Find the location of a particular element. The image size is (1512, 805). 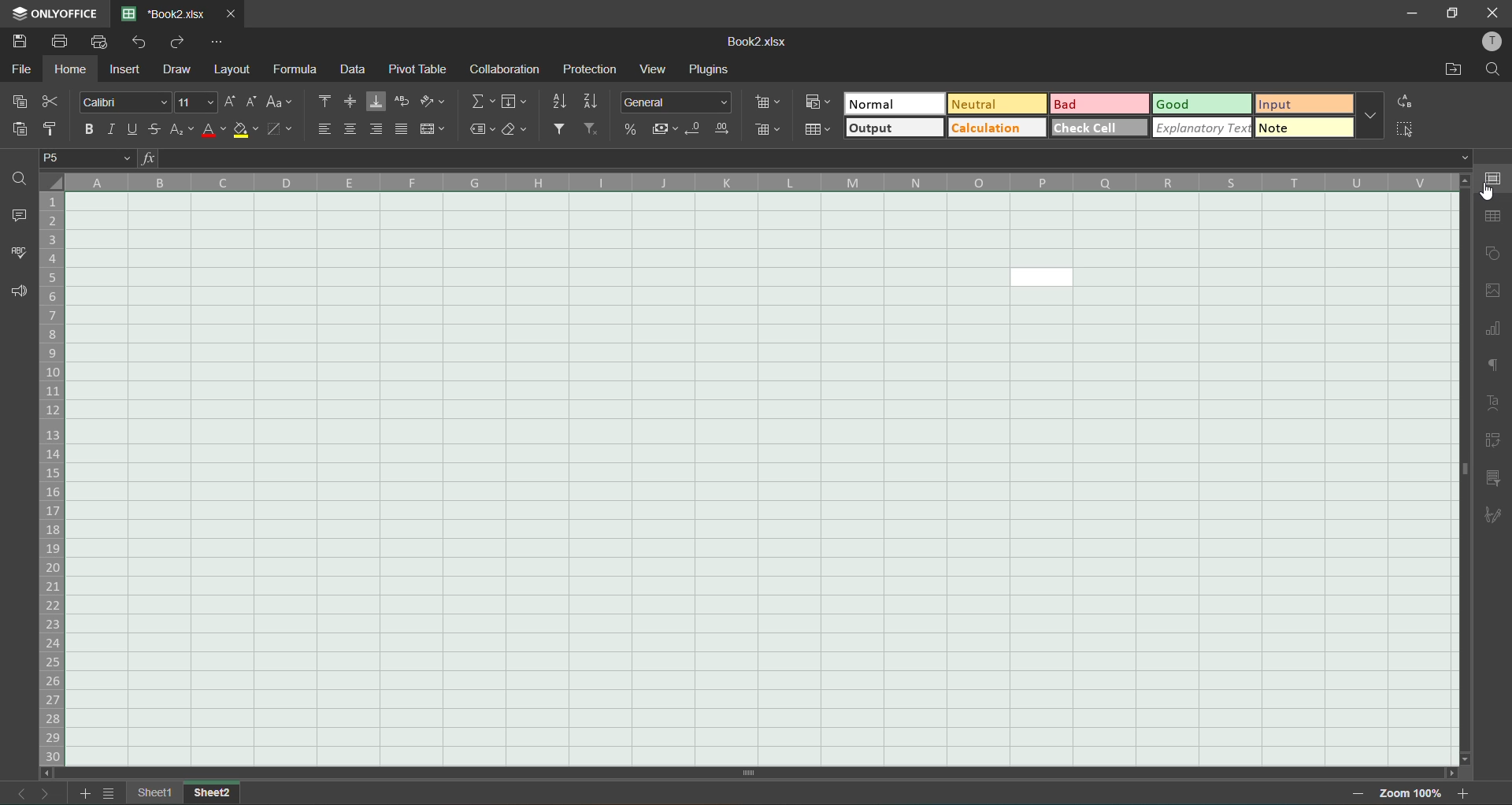

open location is located at coordinates (1451, 70).